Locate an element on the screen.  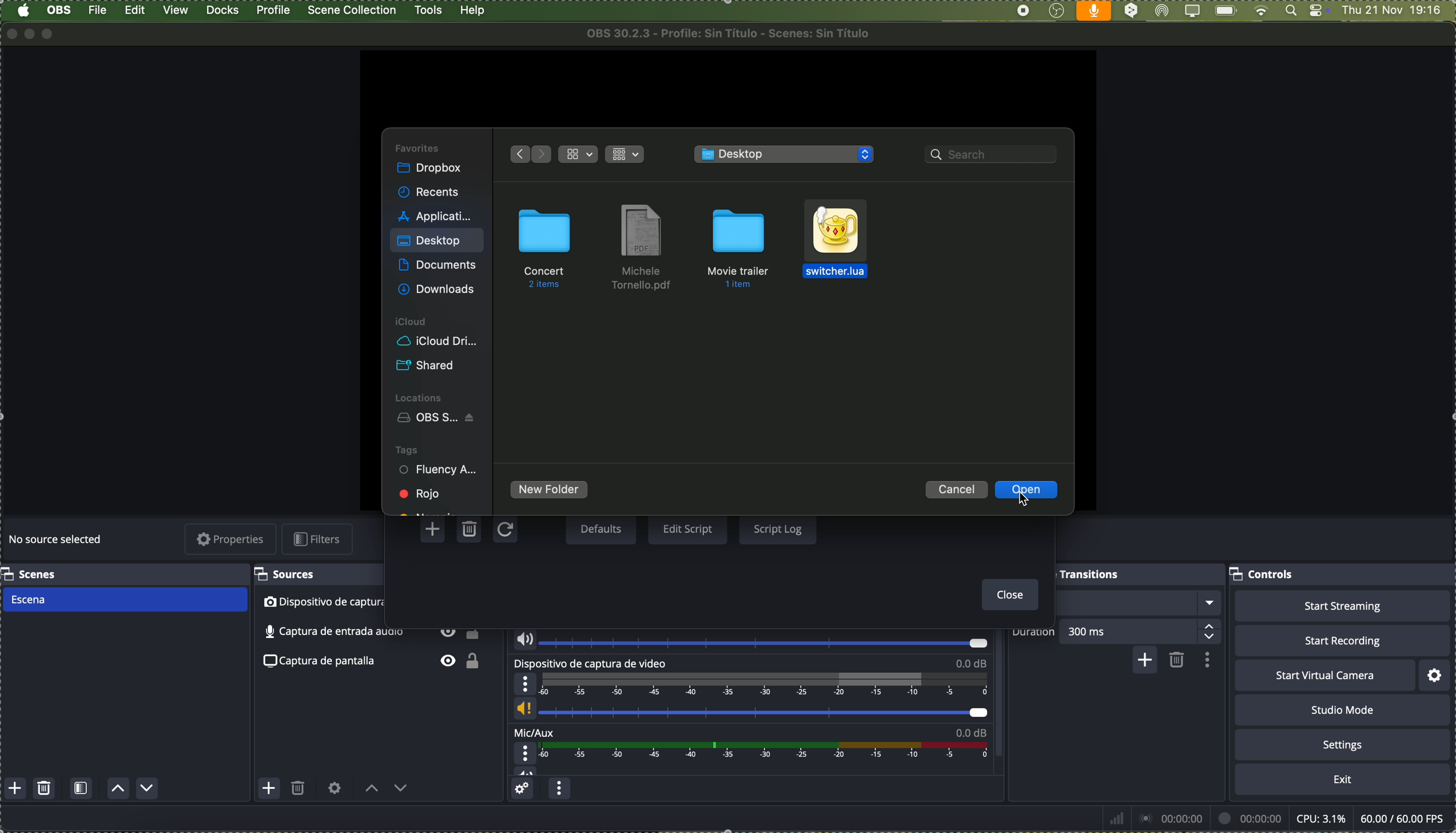
downloads is located at coordinates (439, 288).